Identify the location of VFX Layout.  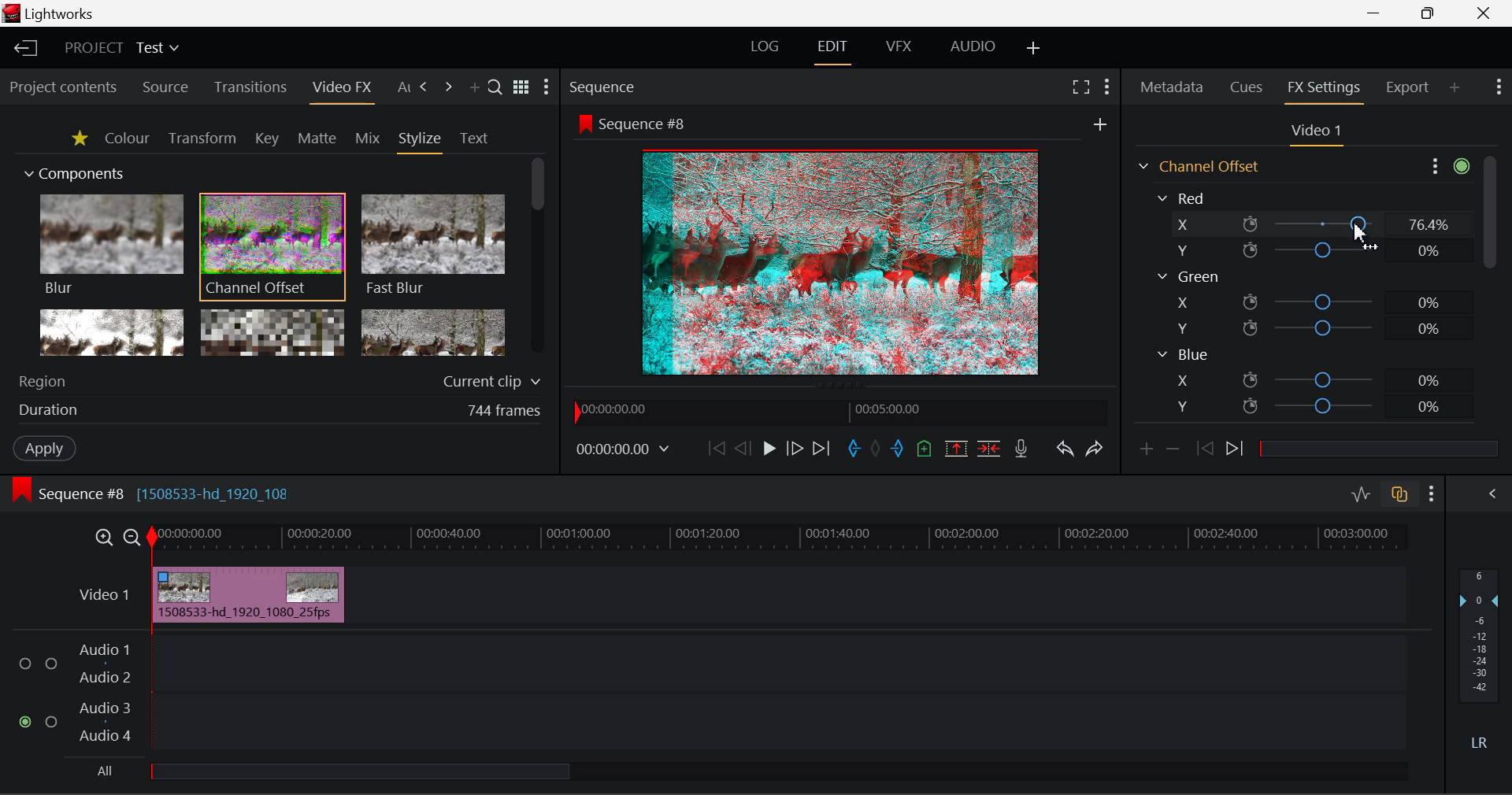
(899, 50).